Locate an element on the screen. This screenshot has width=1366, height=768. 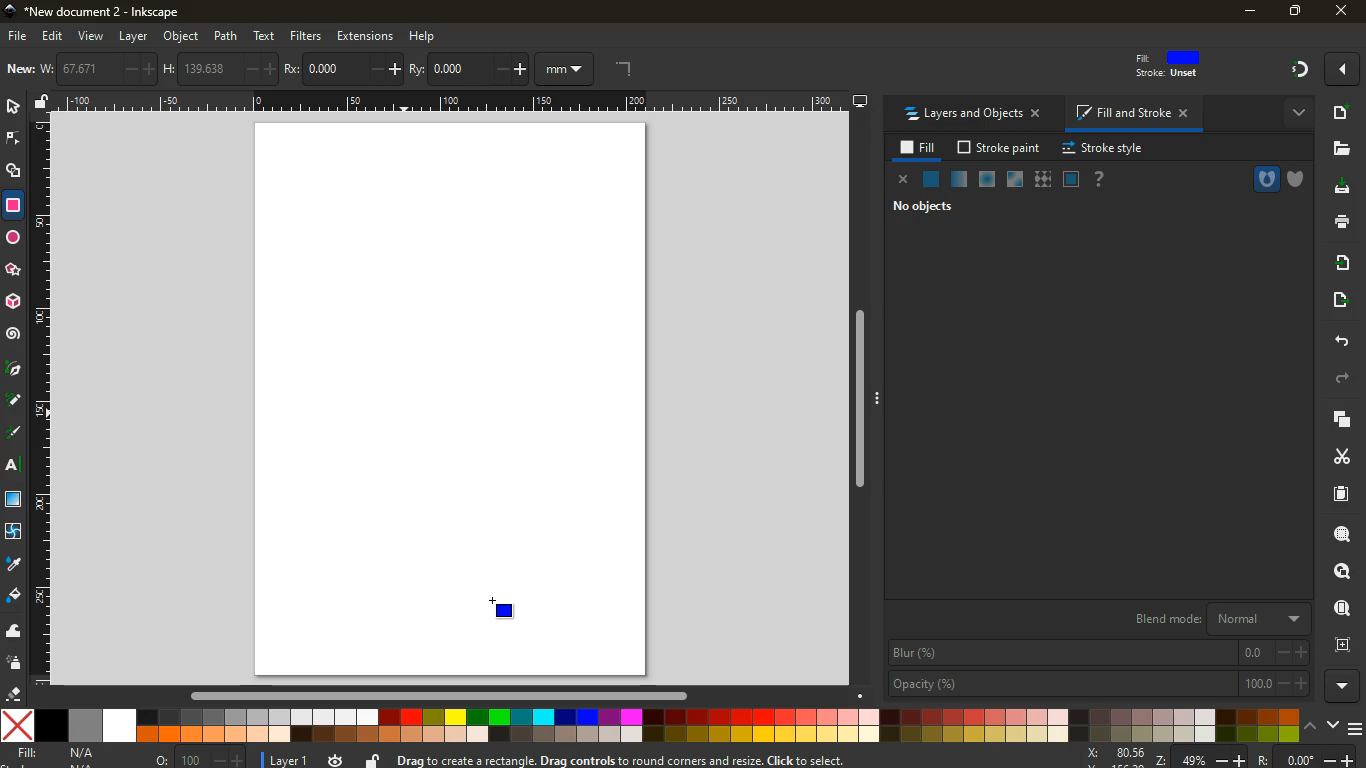
3d tool box is located at coordinates (13, 303).